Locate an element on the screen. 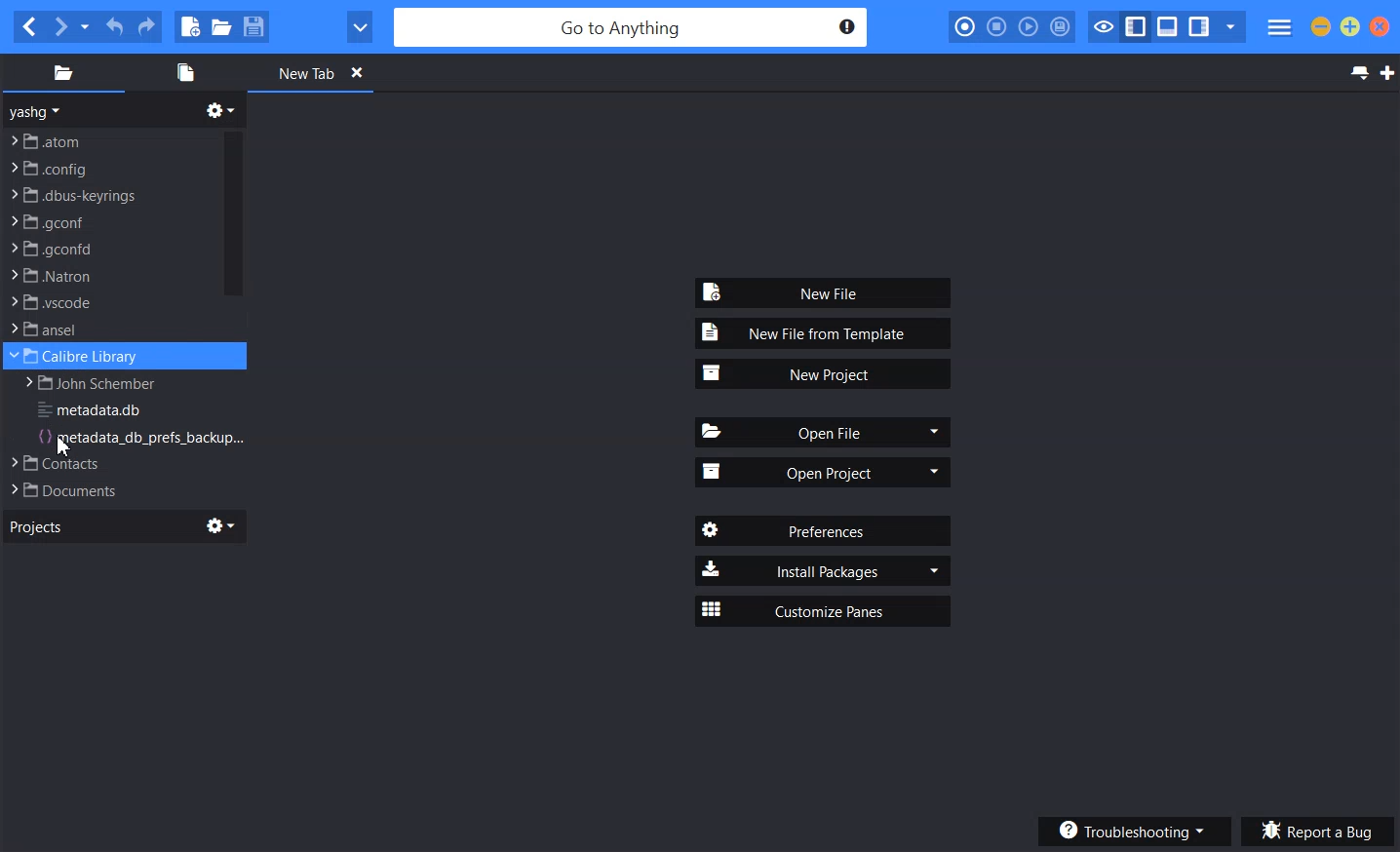 The image size is (1400, 852). Vertical scroll bar is located at coordinates (232, 213).